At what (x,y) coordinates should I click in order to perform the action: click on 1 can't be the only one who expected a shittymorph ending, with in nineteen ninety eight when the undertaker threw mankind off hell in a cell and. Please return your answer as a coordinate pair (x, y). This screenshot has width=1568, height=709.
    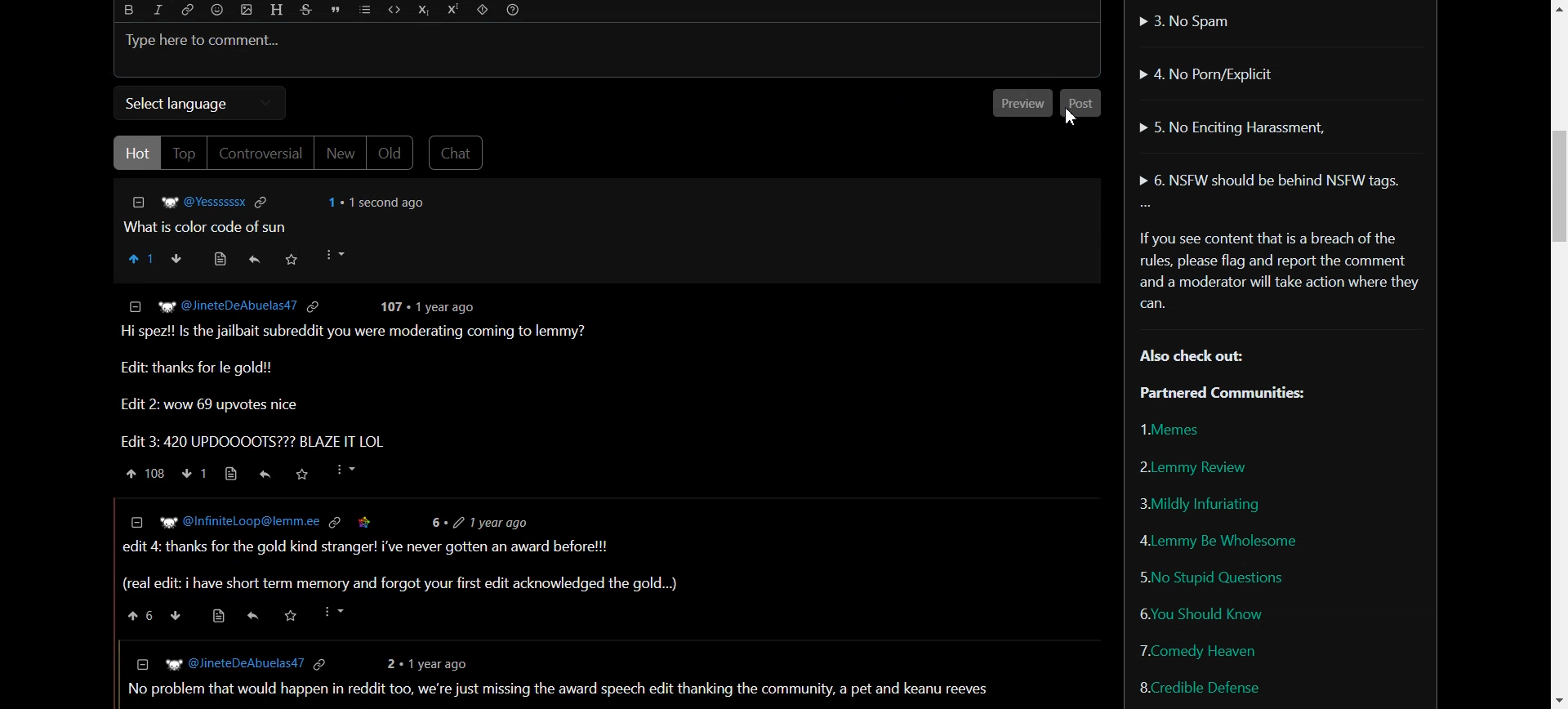
    Looking at the image, I should click on (586, 689).